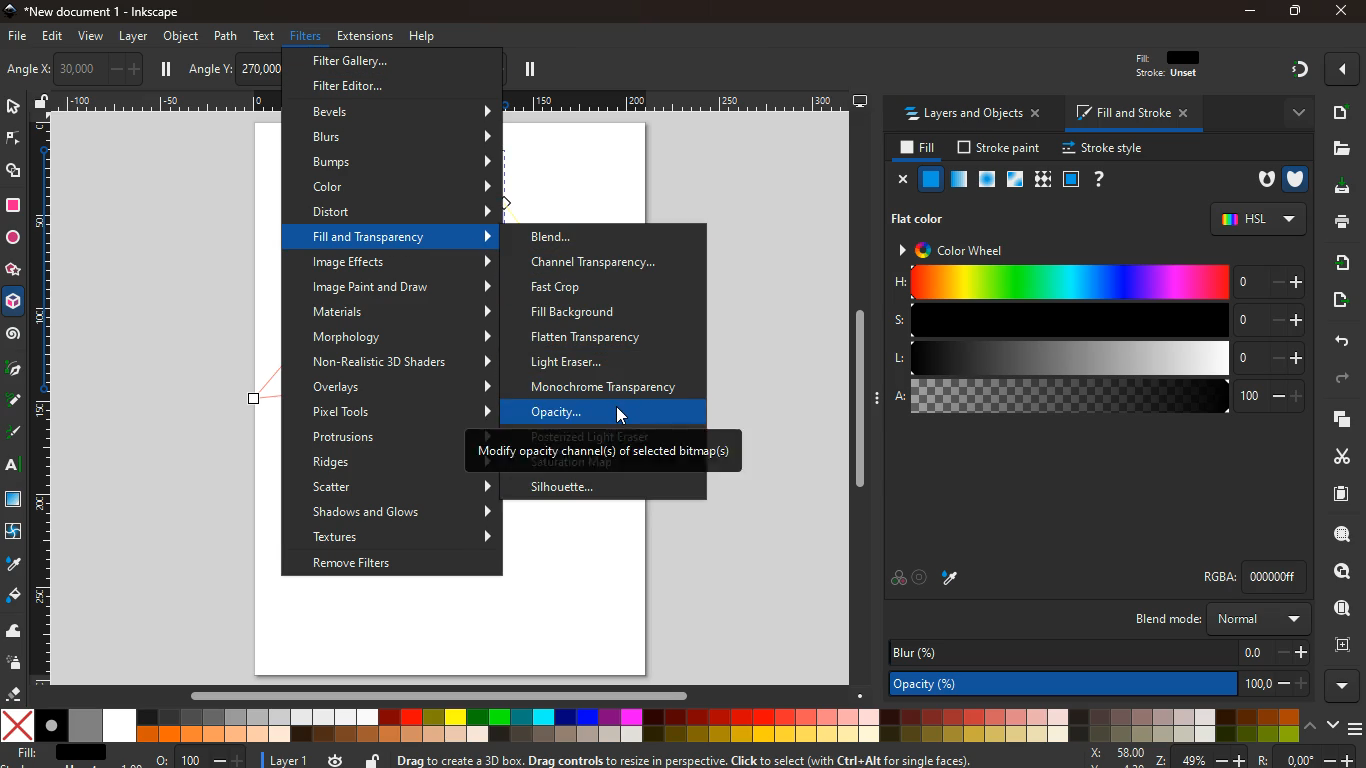 This screenshot has width=1366, height=768. I want to click on edit, so click(57, 38).